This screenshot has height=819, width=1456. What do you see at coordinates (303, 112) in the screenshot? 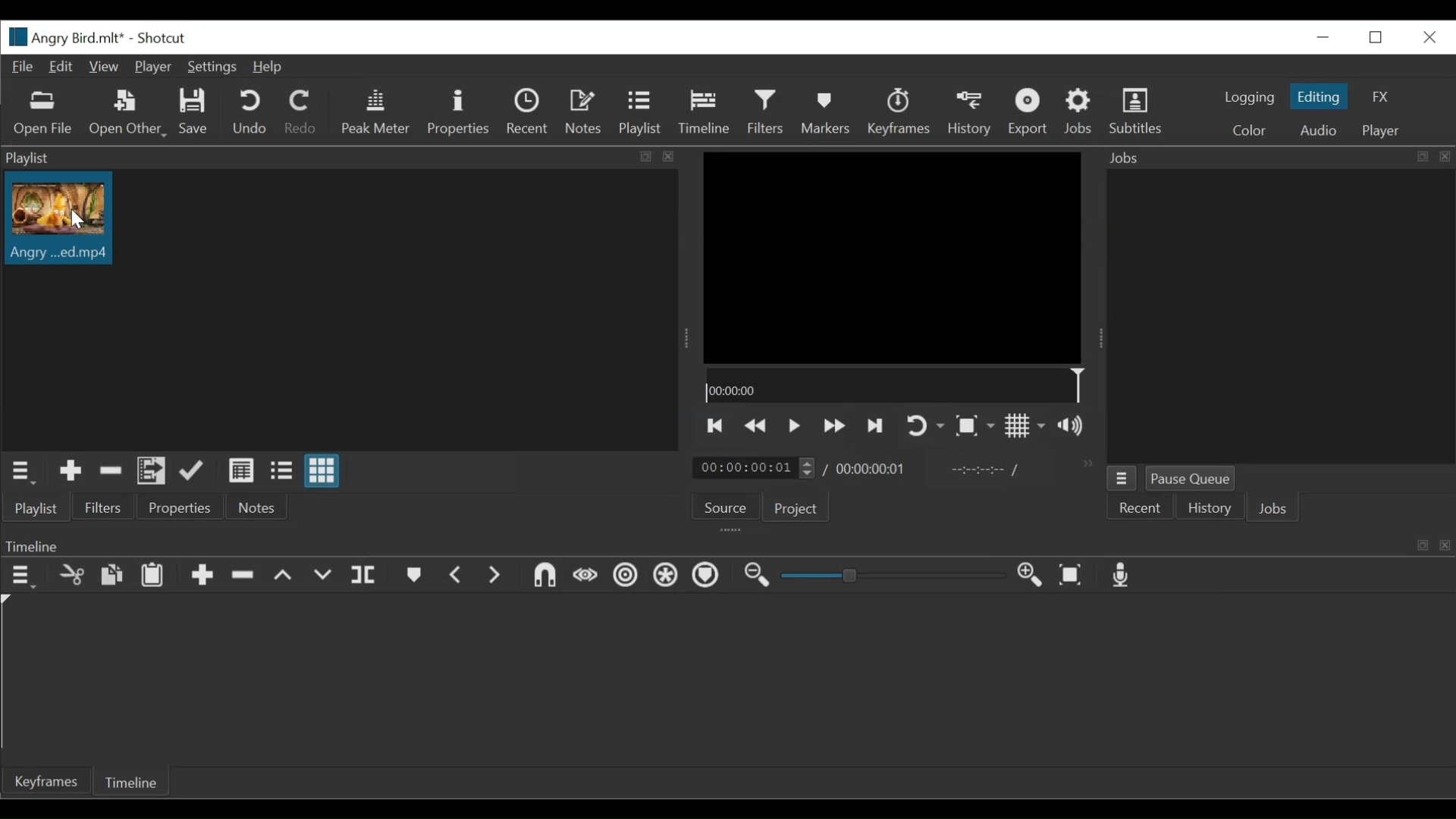
I see `Redo` at bounding box center [303, 112].